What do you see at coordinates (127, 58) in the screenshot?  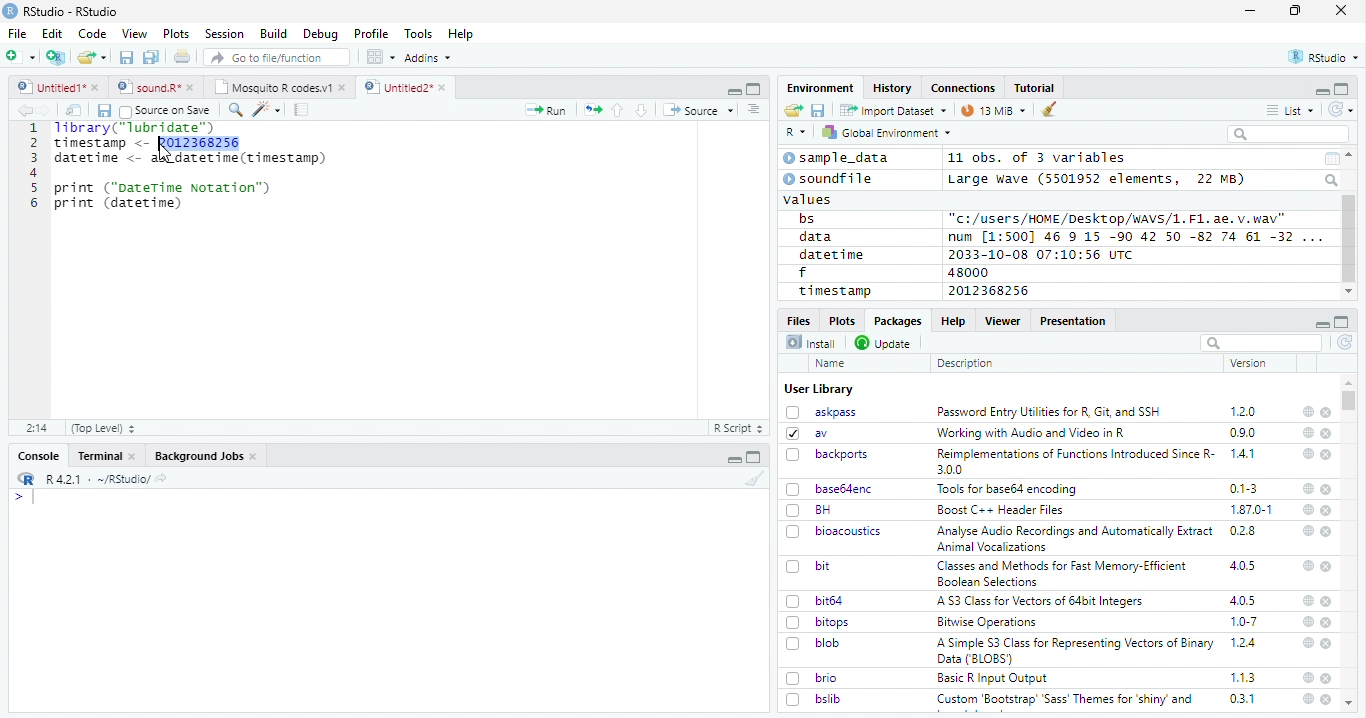 I see `Save the current document` at bounding box center [127, 58].